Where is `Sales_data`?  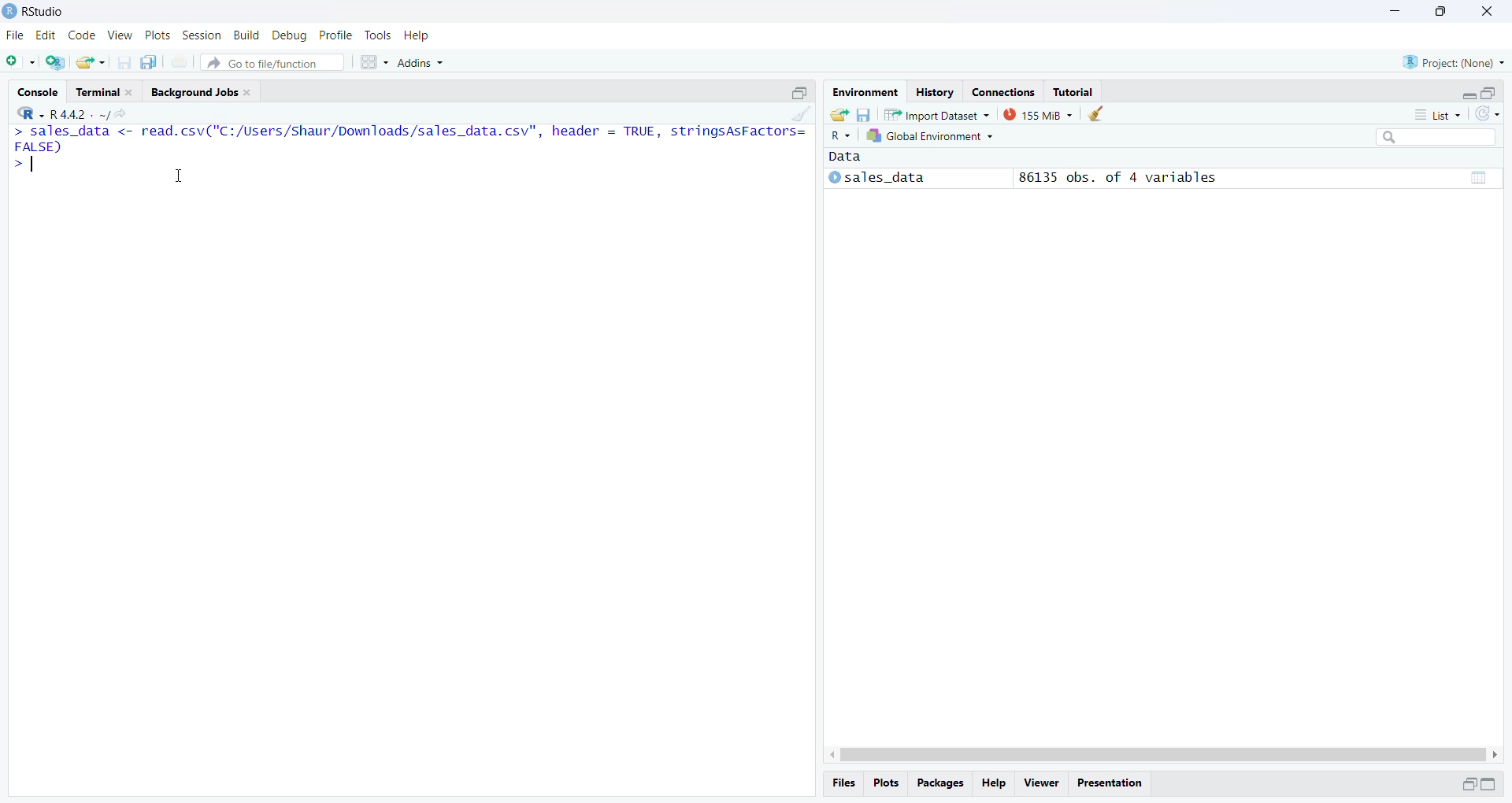
Sales_data is located at coordinates (880, 179).